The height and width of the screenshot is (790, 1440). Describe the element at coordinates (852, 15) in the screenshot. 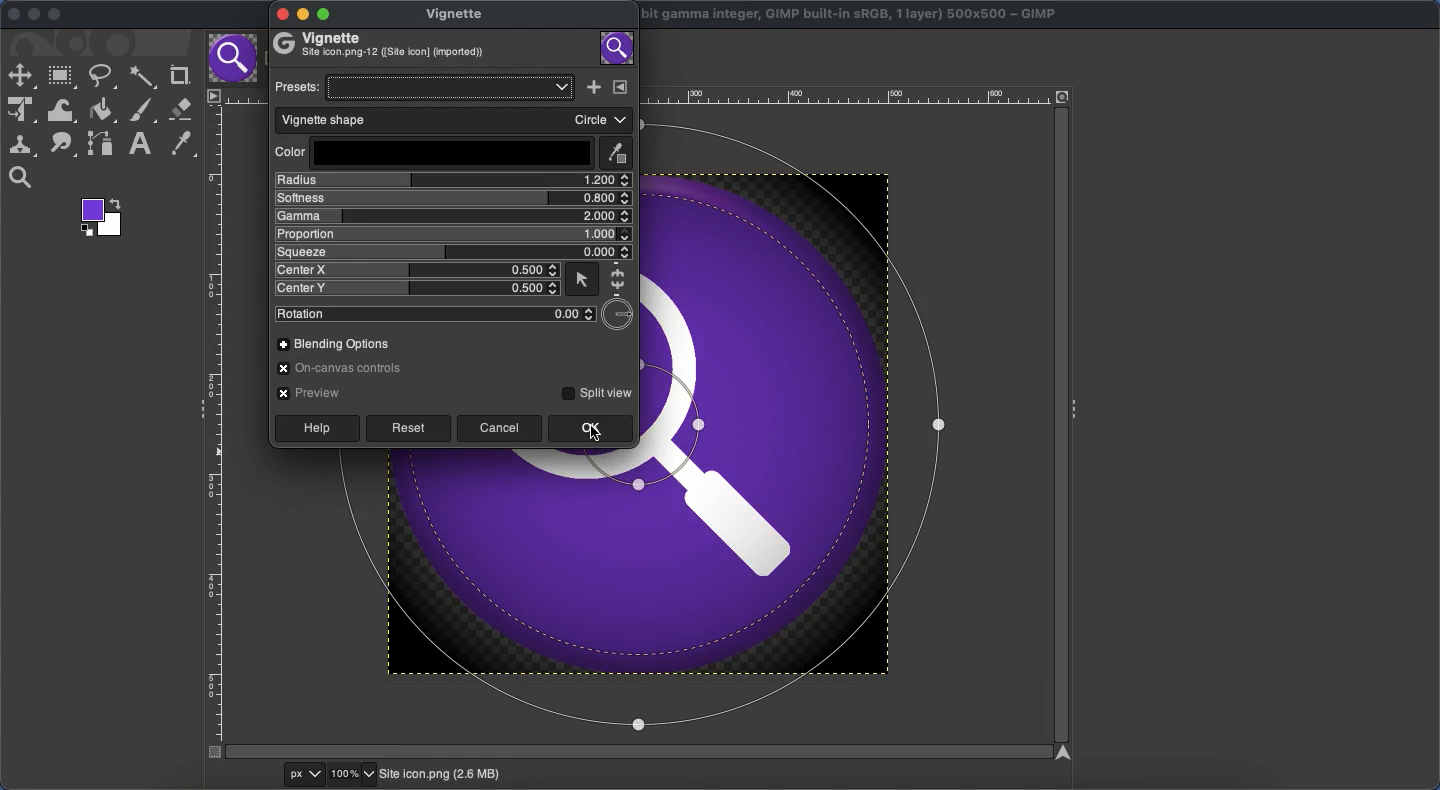

I see `Project GIMP` at that location.